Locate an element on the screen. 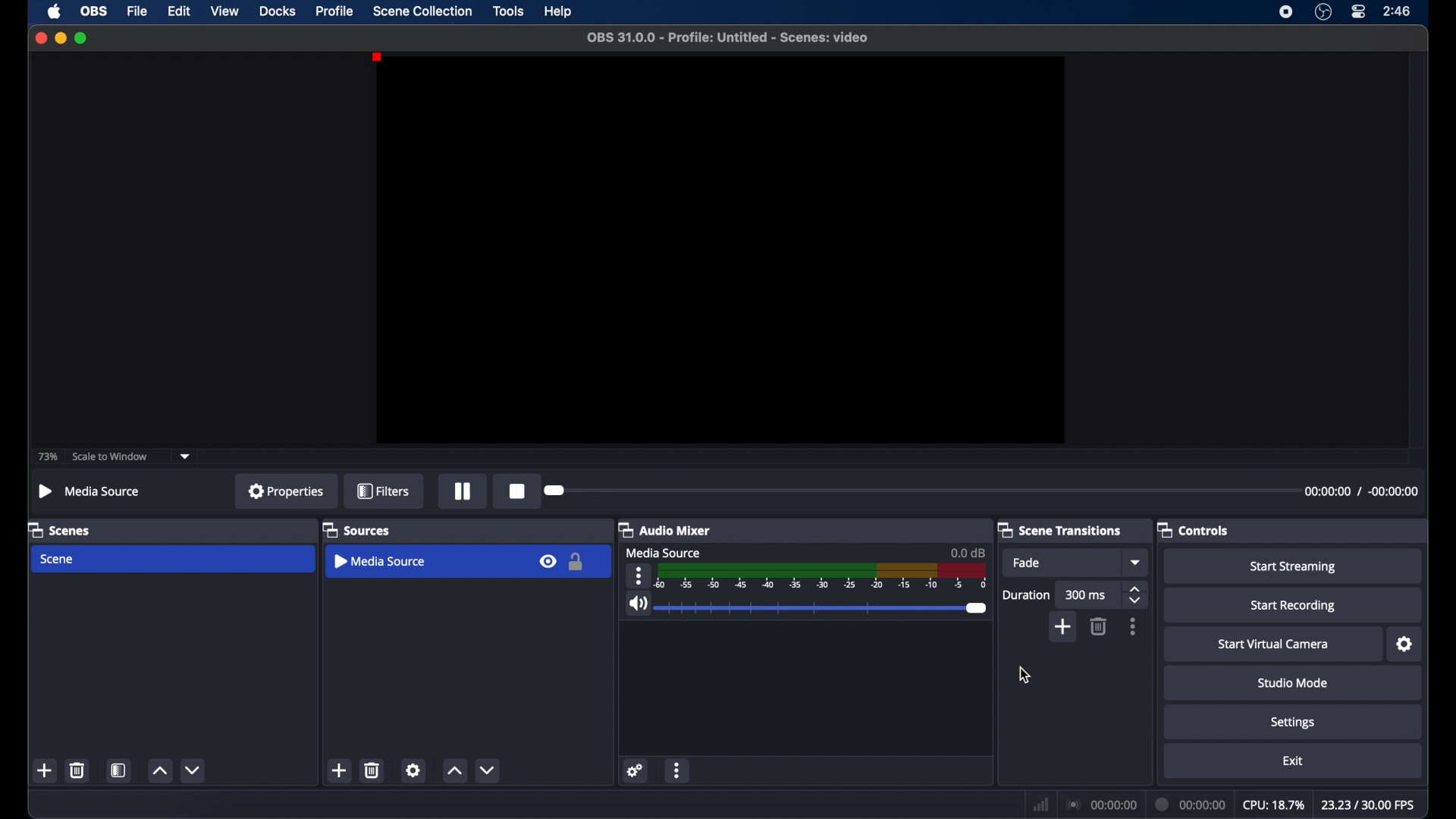 Image resolution: width=1456 pixels, height=819 pixels. view is located at coordinates (224, 11).